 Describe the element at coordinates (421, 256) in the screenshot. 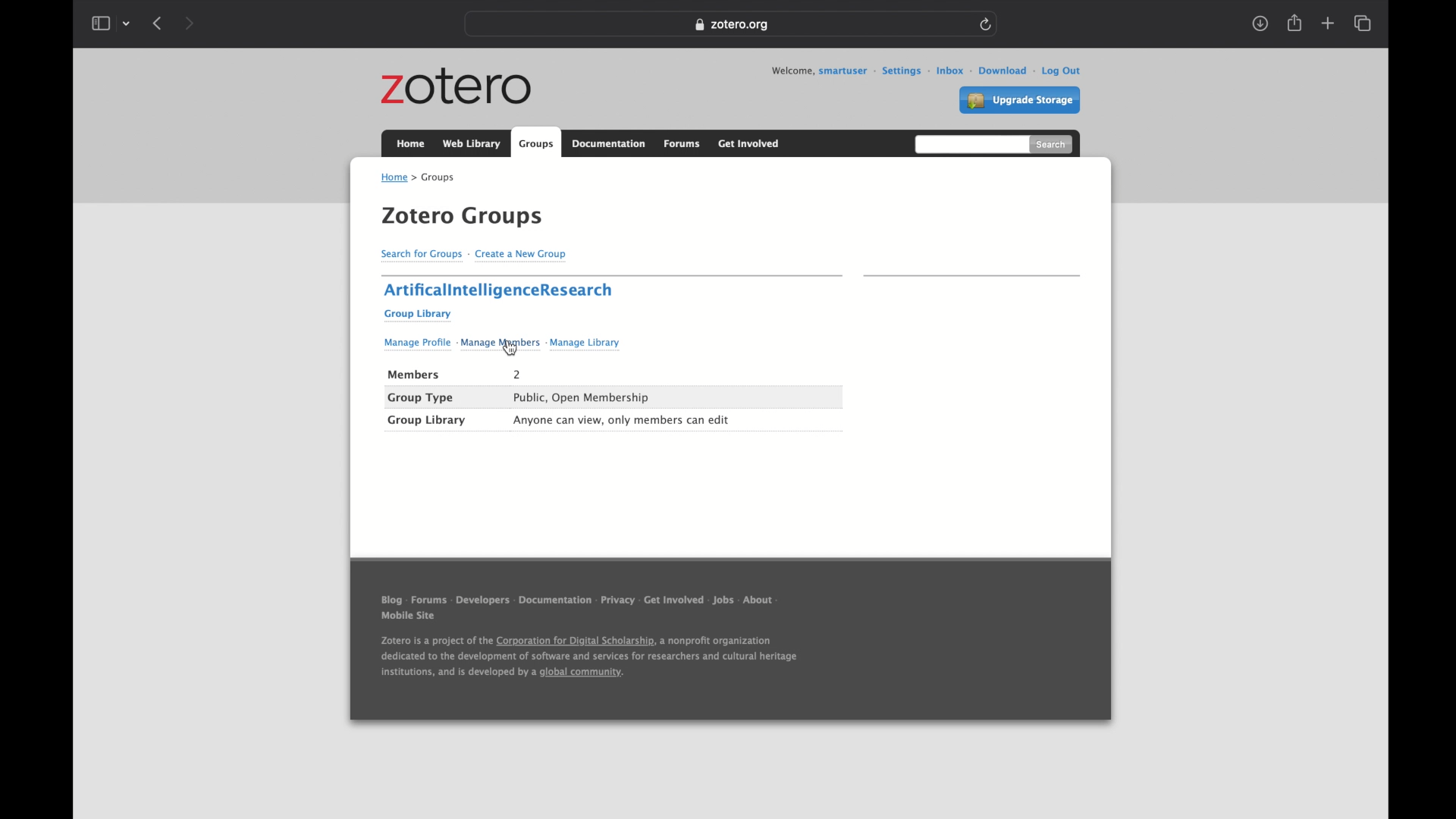

I see `search for groups` at that location.